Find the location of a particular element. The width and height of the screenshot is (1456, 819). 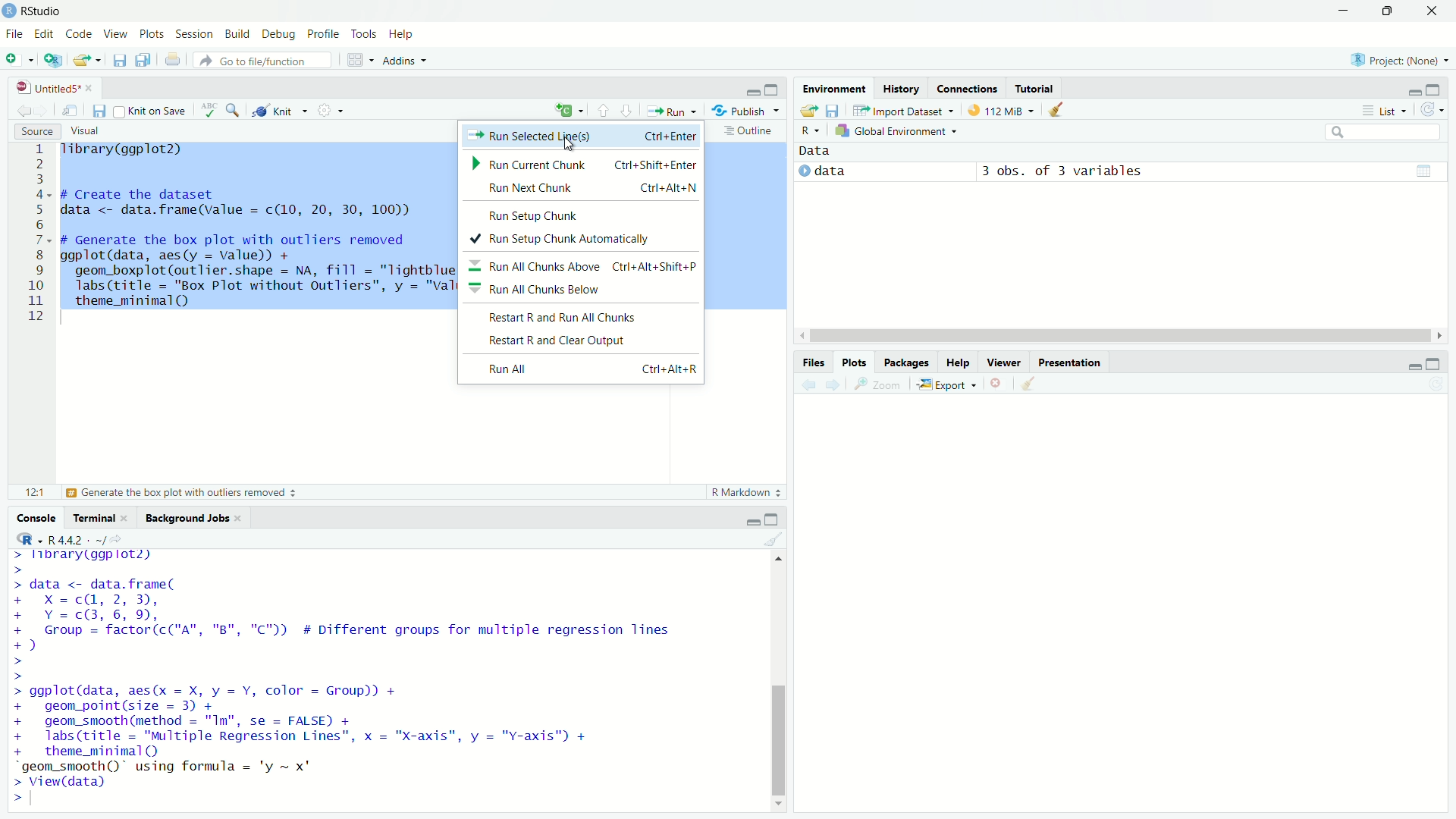

History is located at coordinates (903, 86).